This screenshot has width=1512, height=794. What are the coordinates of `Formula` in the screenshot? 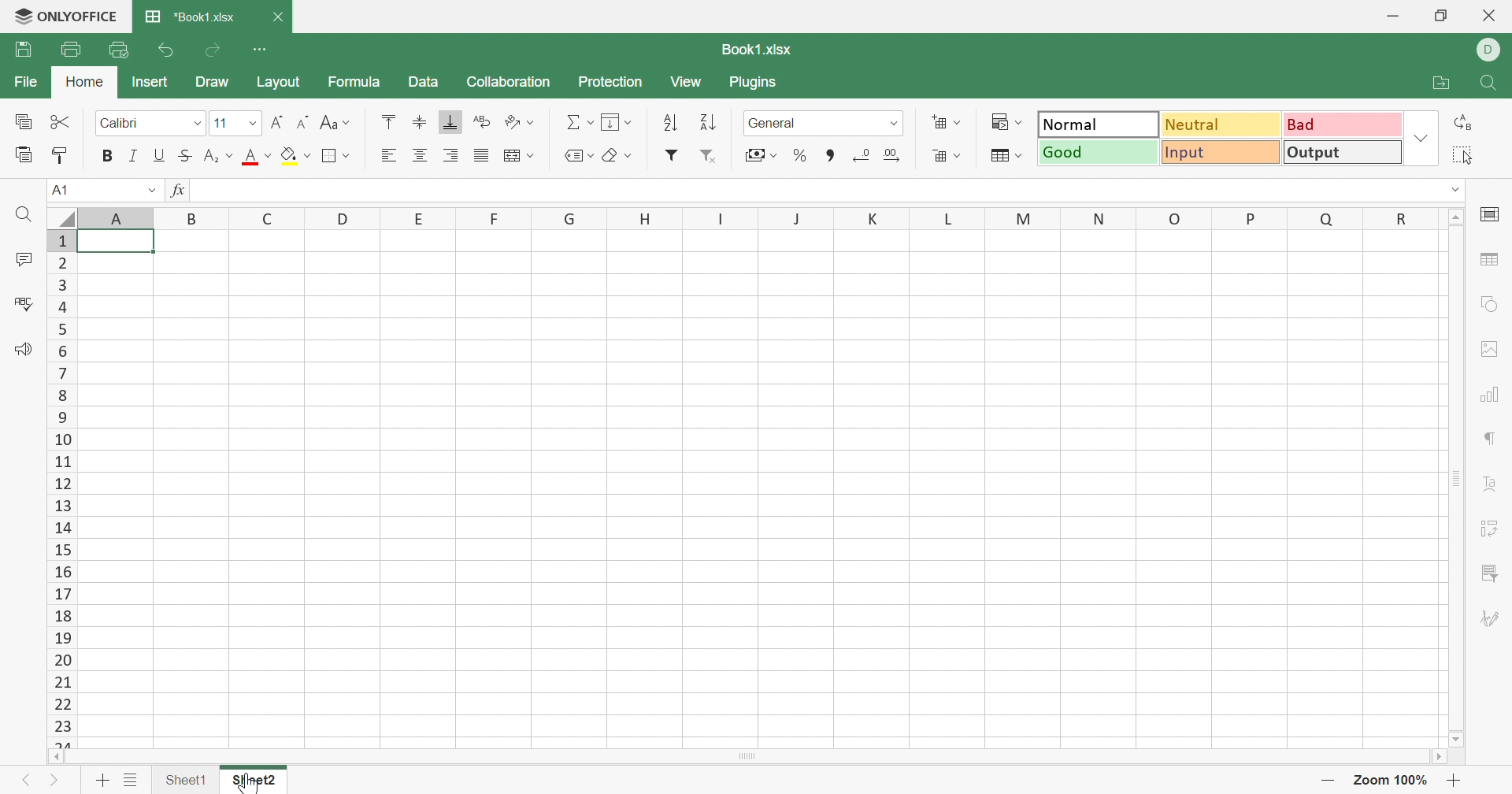 It's located at (357, 81).